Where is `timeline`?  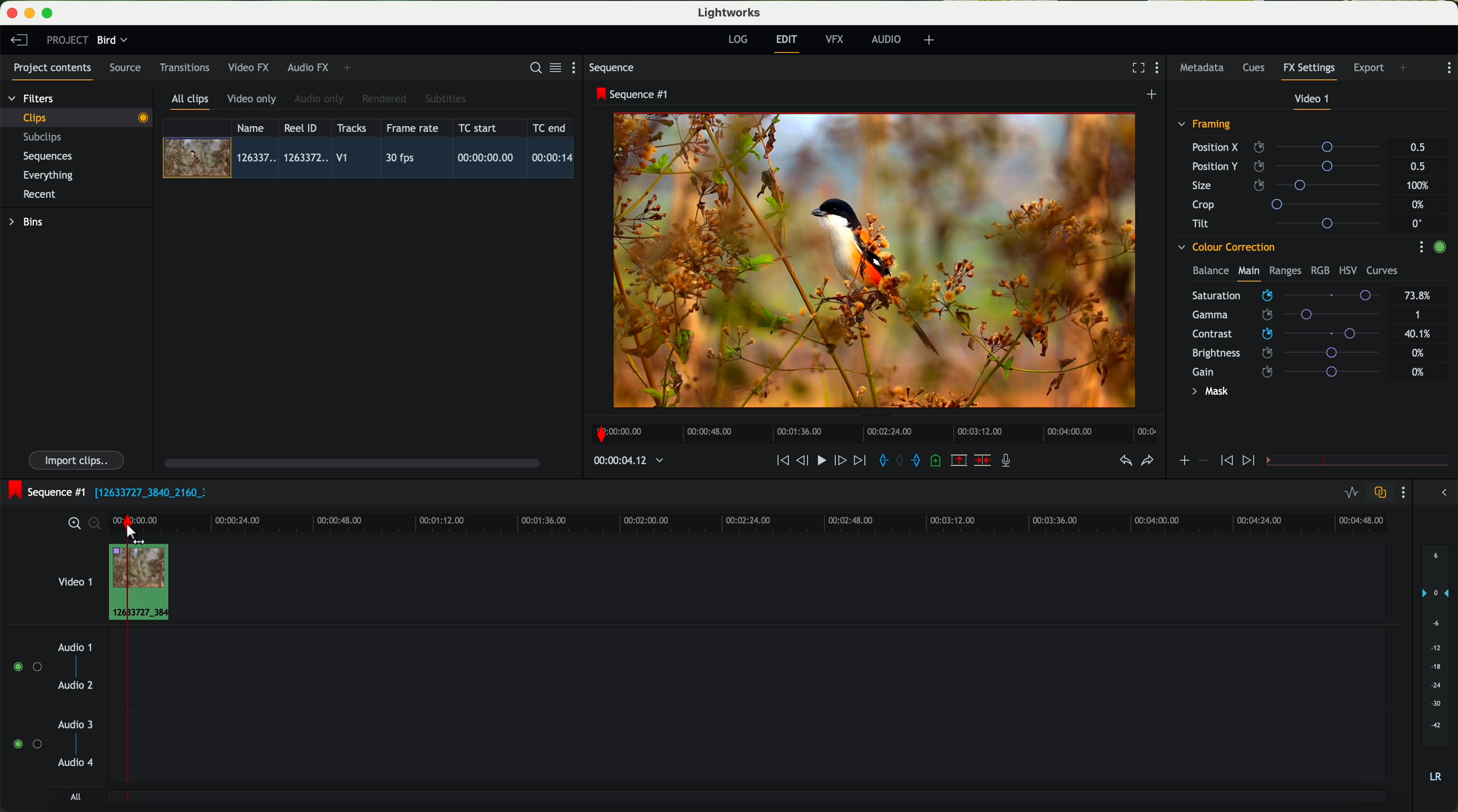 timeline is located at coordinates (871, 431).